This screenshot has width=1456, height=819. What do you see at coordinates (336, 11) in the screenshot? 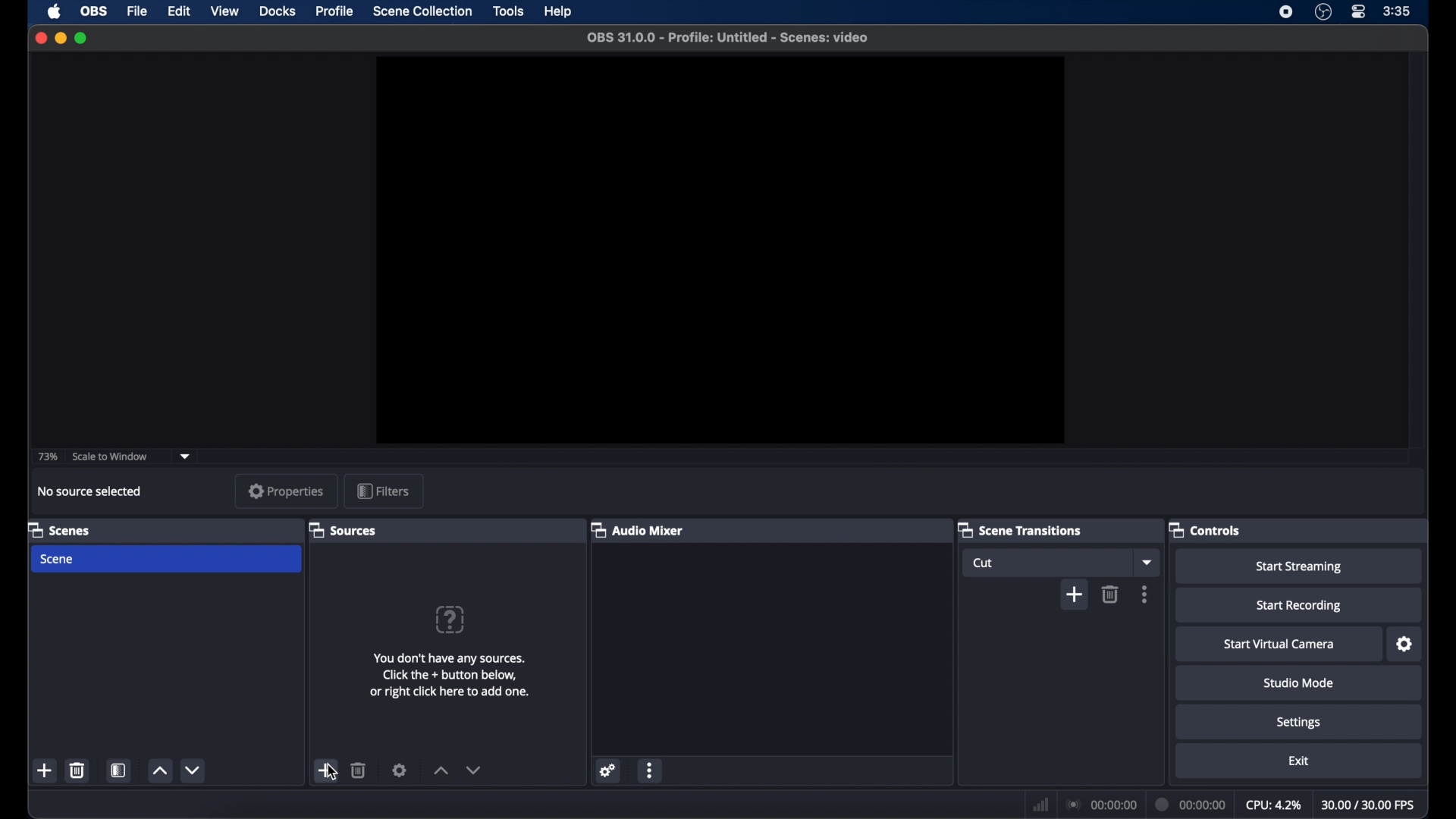
I see `profile` at bounding box center [336, 11].